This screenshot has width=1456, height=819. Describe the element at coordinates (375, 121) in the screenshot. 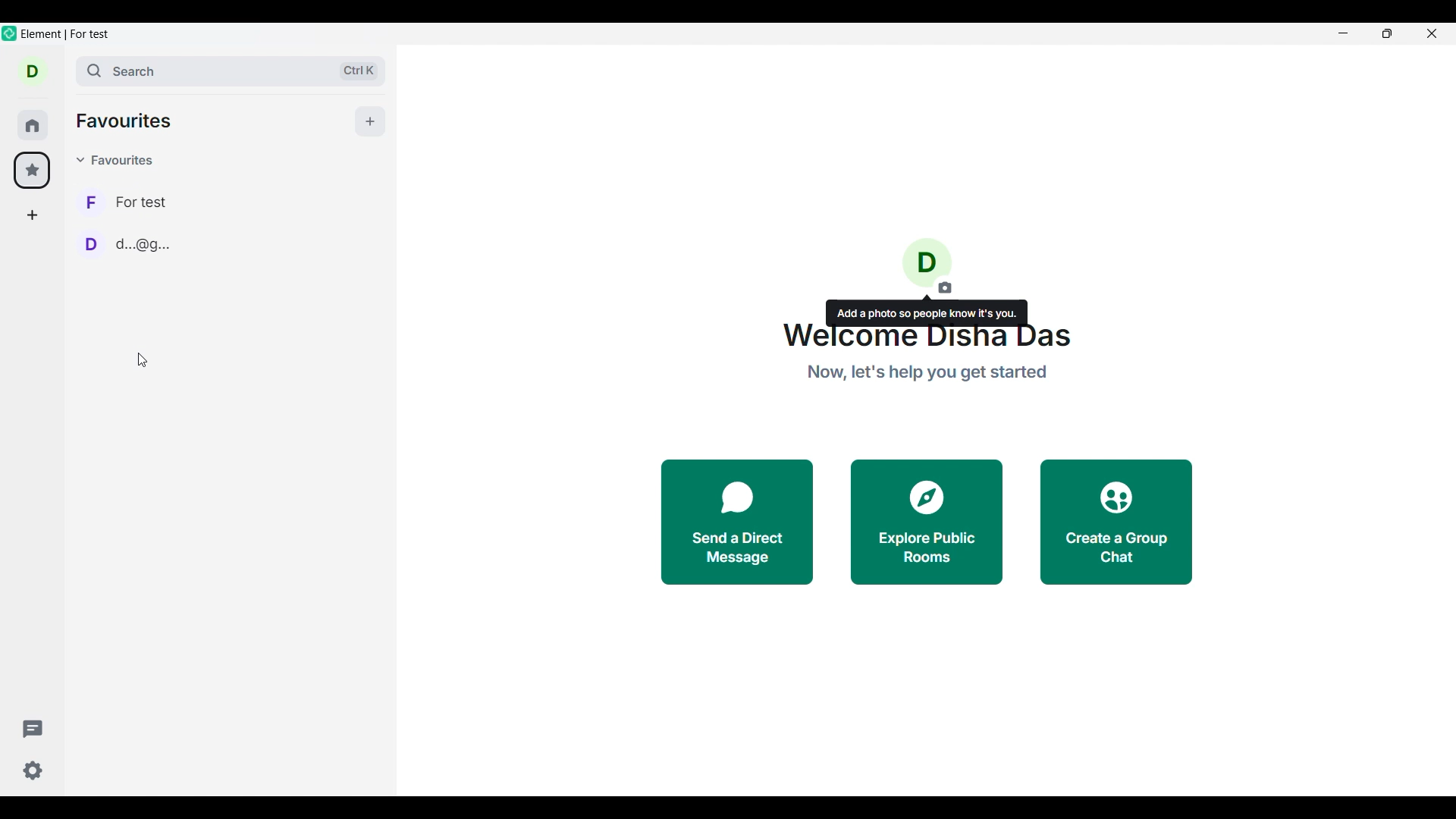

I see `add` at that location.